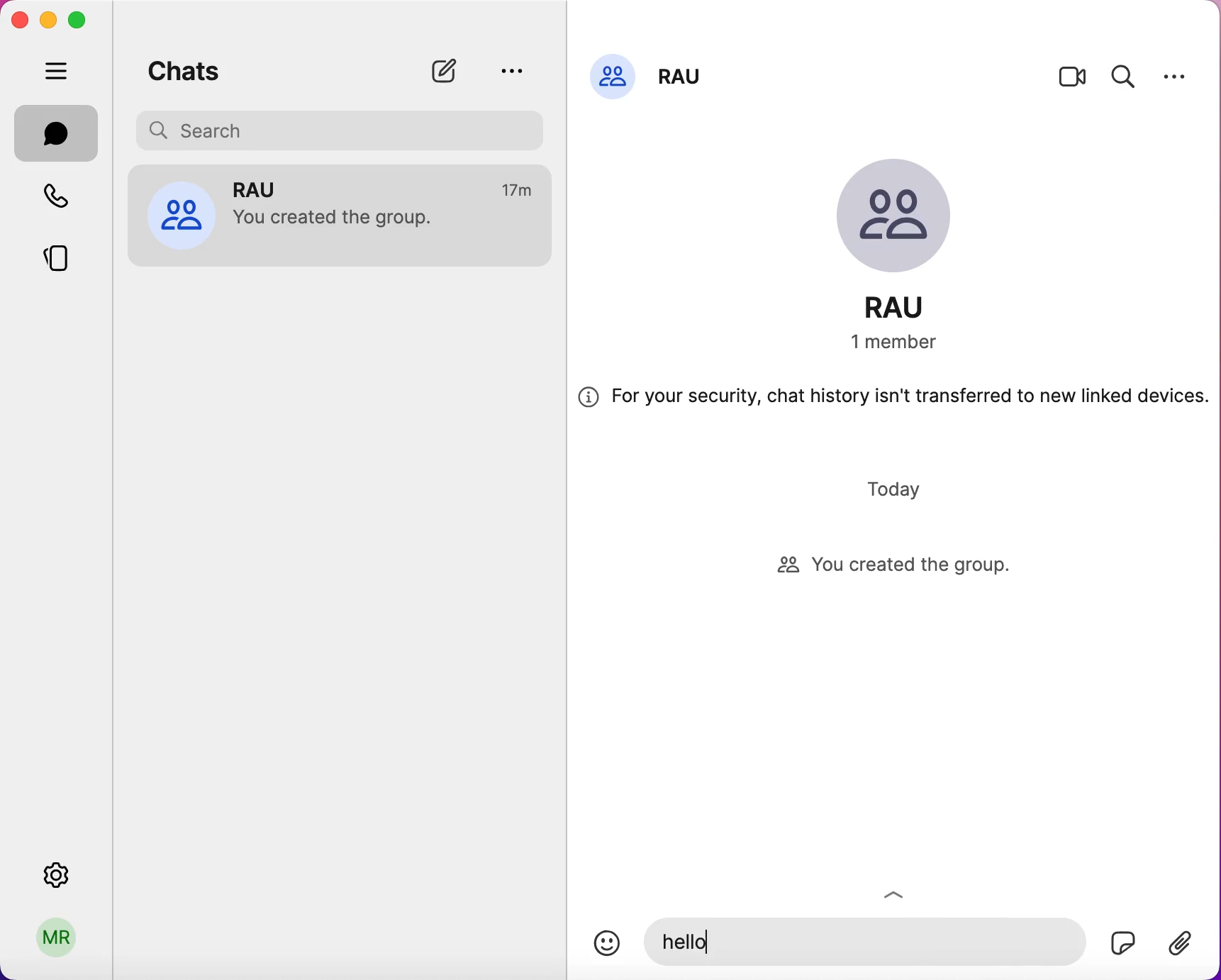  Describe the element at coordinates (1073, 80) in the screenshot. I see `video call` at that location.